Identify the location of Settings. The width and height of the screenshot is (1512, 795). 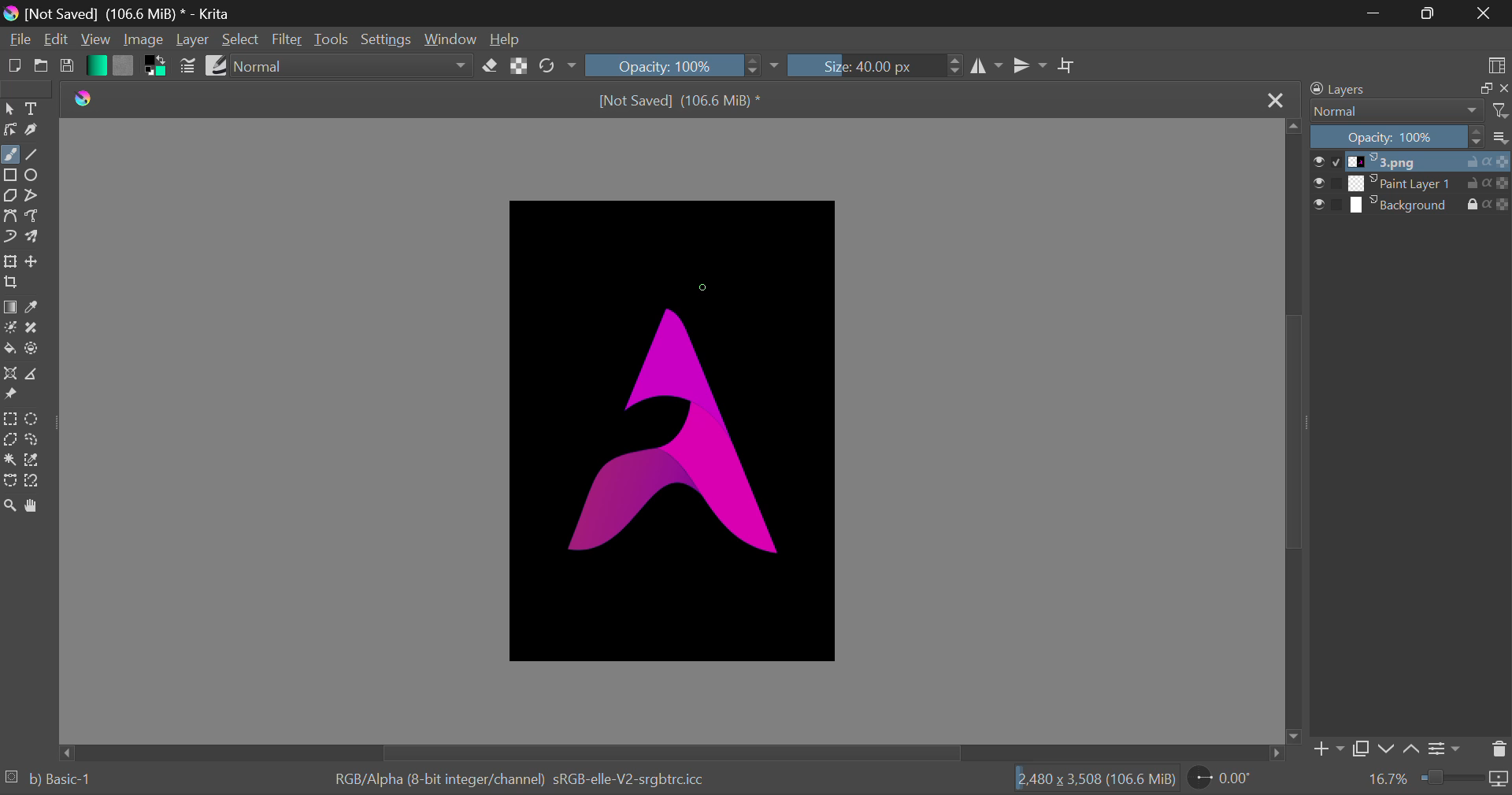
(387, 39).